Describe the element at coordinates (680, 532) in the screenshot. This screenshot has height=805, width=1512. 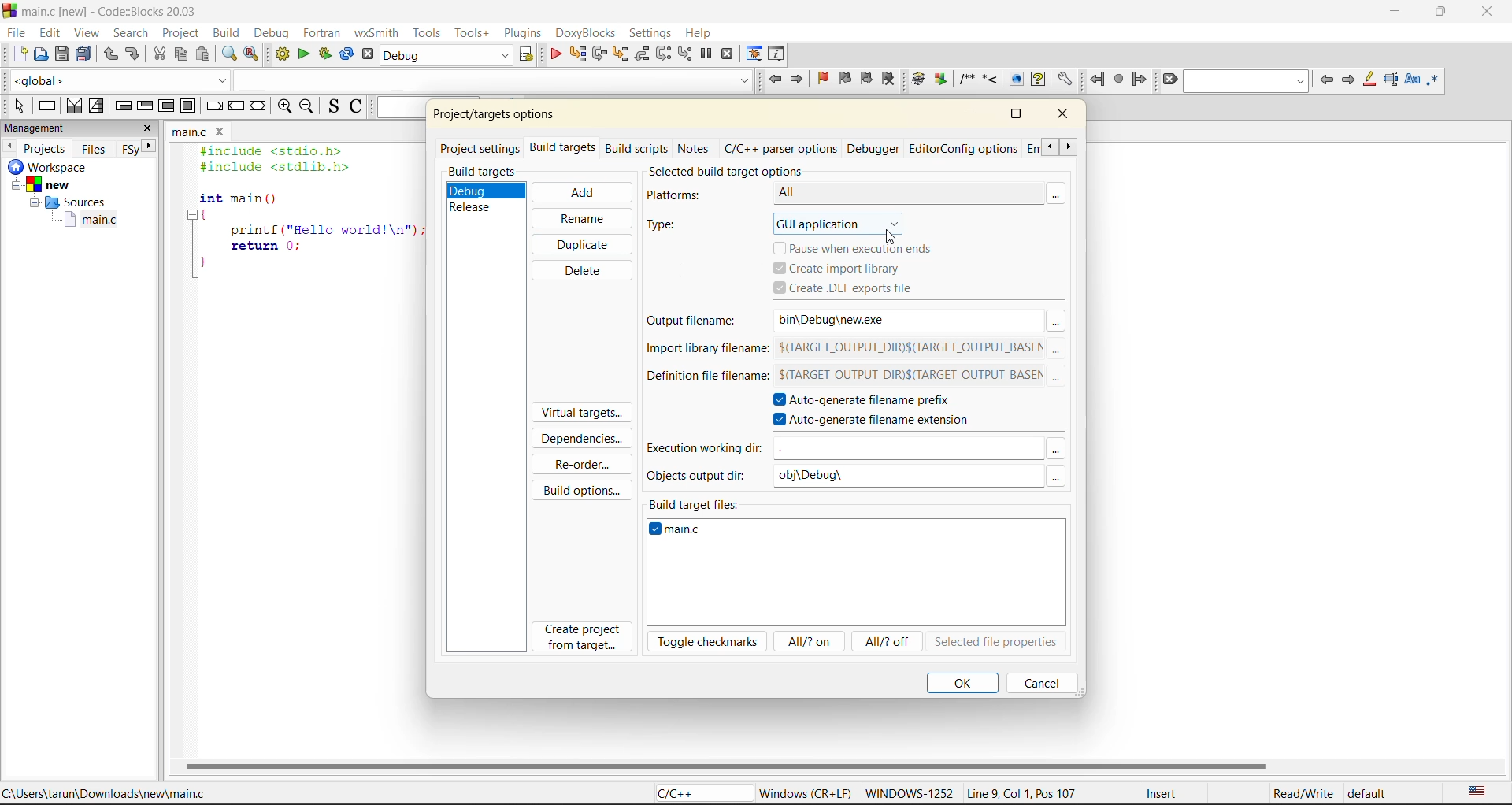
I see `file name` at that location.